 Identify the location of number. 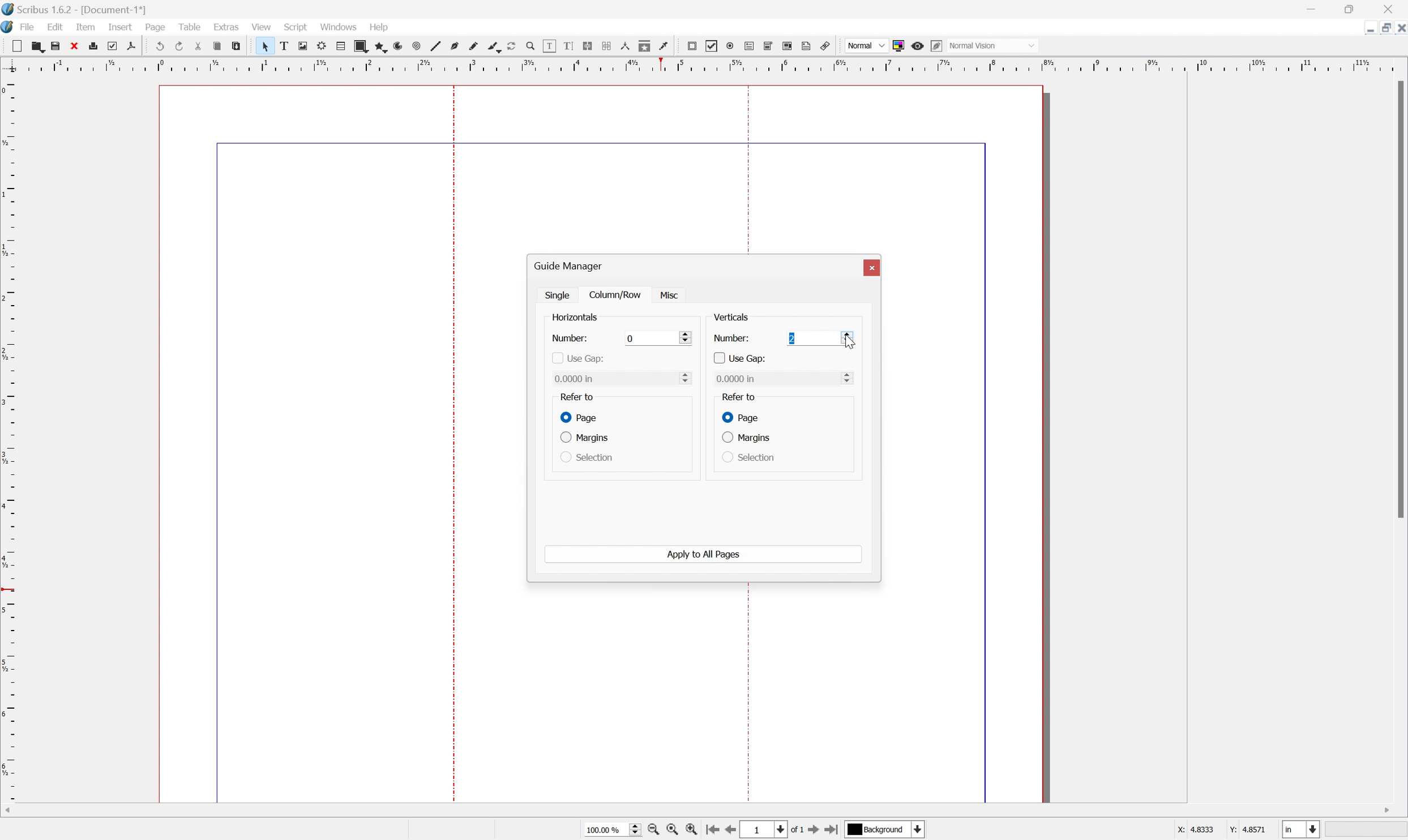
(571, 338).